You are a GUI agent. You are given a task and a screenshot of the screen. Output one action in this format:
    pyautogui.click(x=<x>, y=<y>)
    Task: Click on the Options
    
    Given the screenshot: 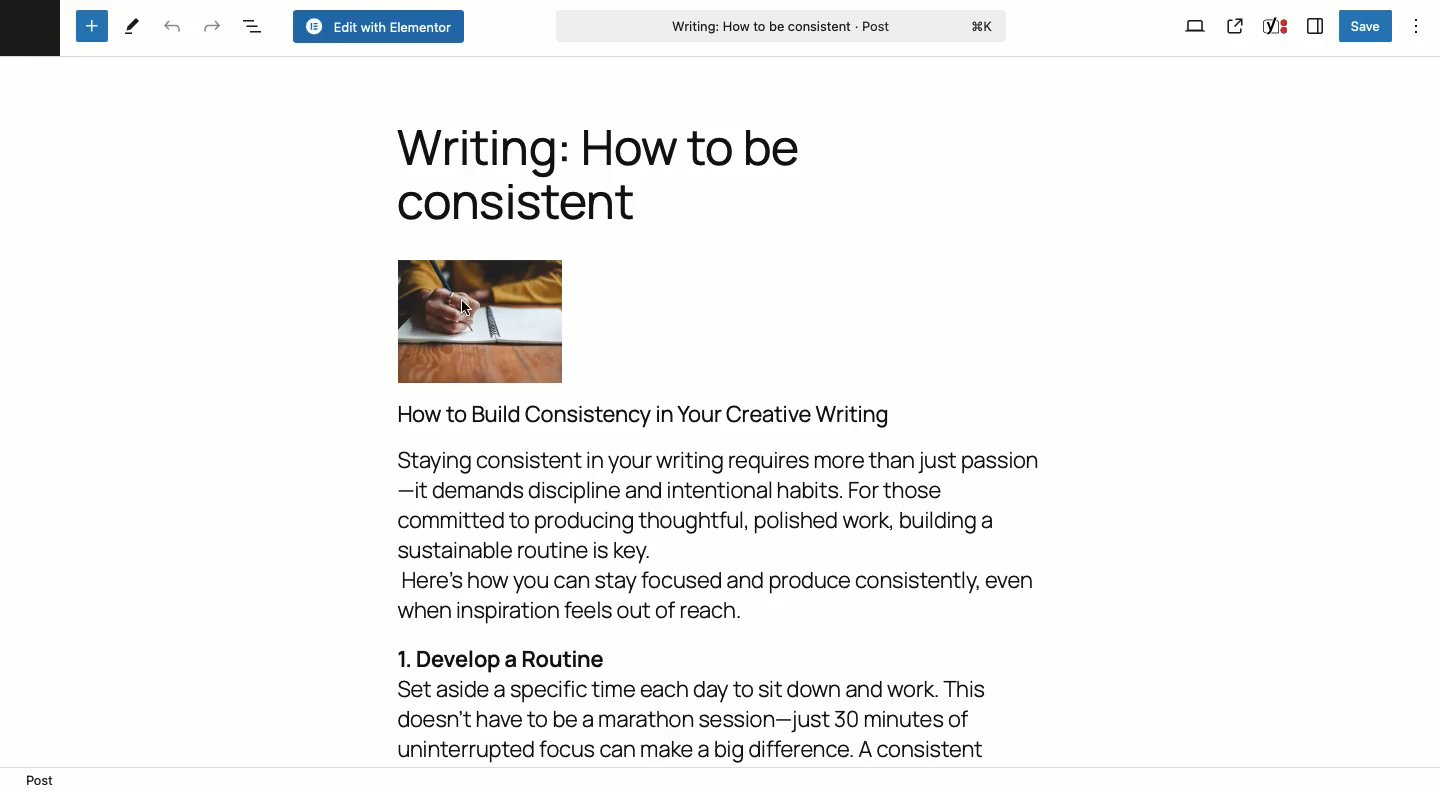 What is the action you would take?
    pyautogui.click(x=1415, y=24)
    